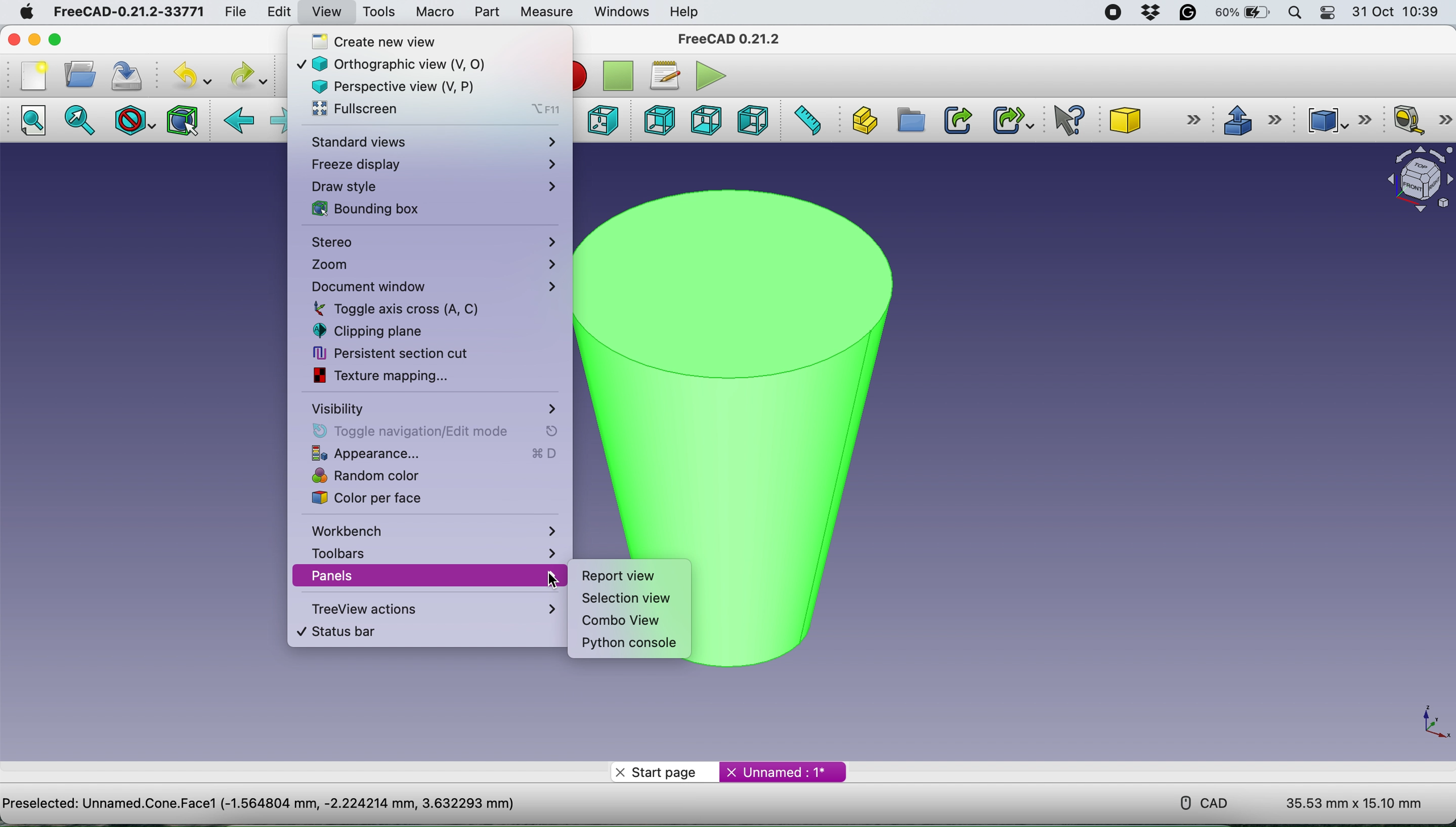 The image size is (1456, 827). Describe the element at coordinates (1336, 118) in the screenshot. I see `compound tools` at that location.